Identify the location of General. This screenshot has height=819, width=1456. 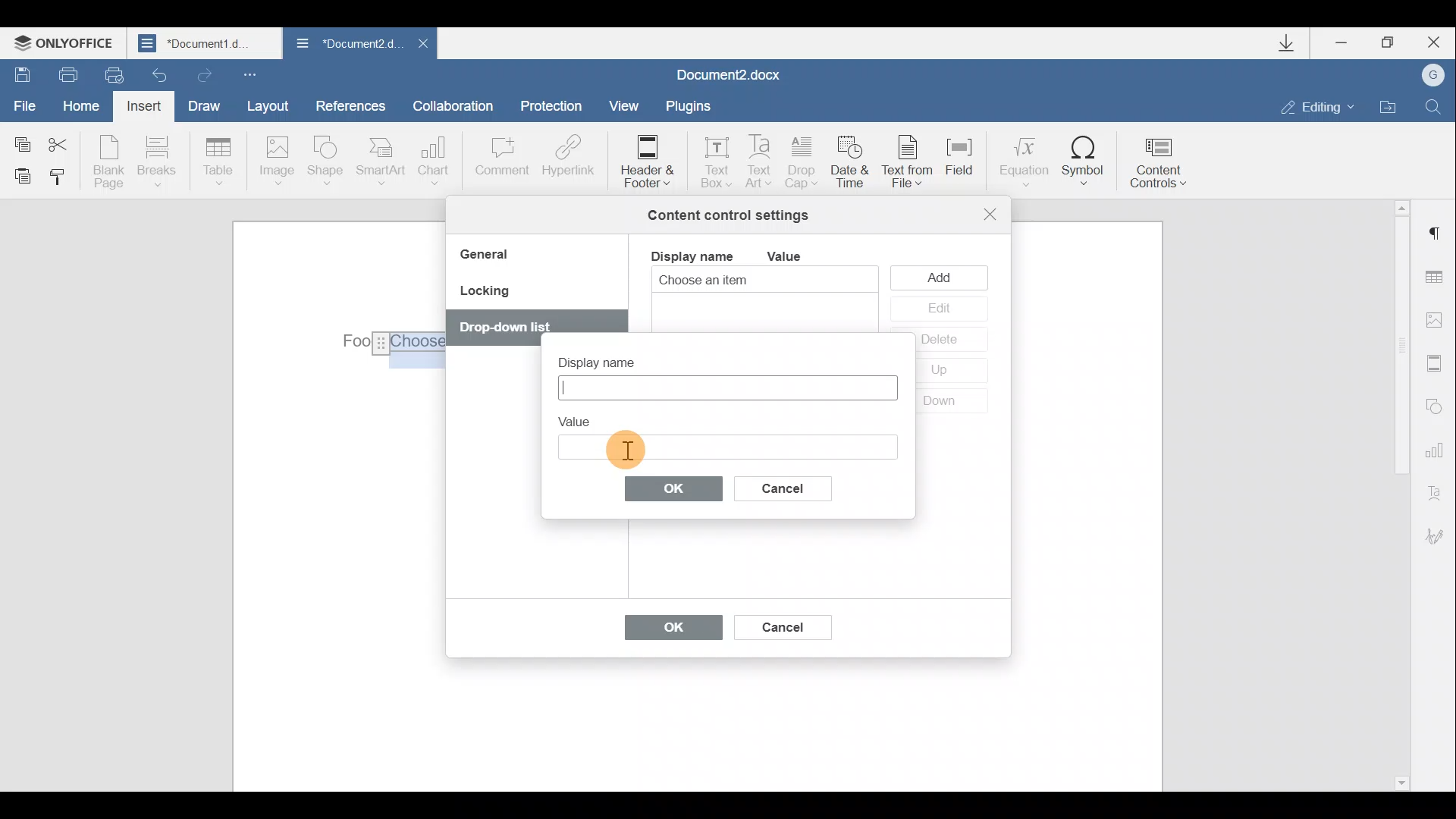
(490, 256).